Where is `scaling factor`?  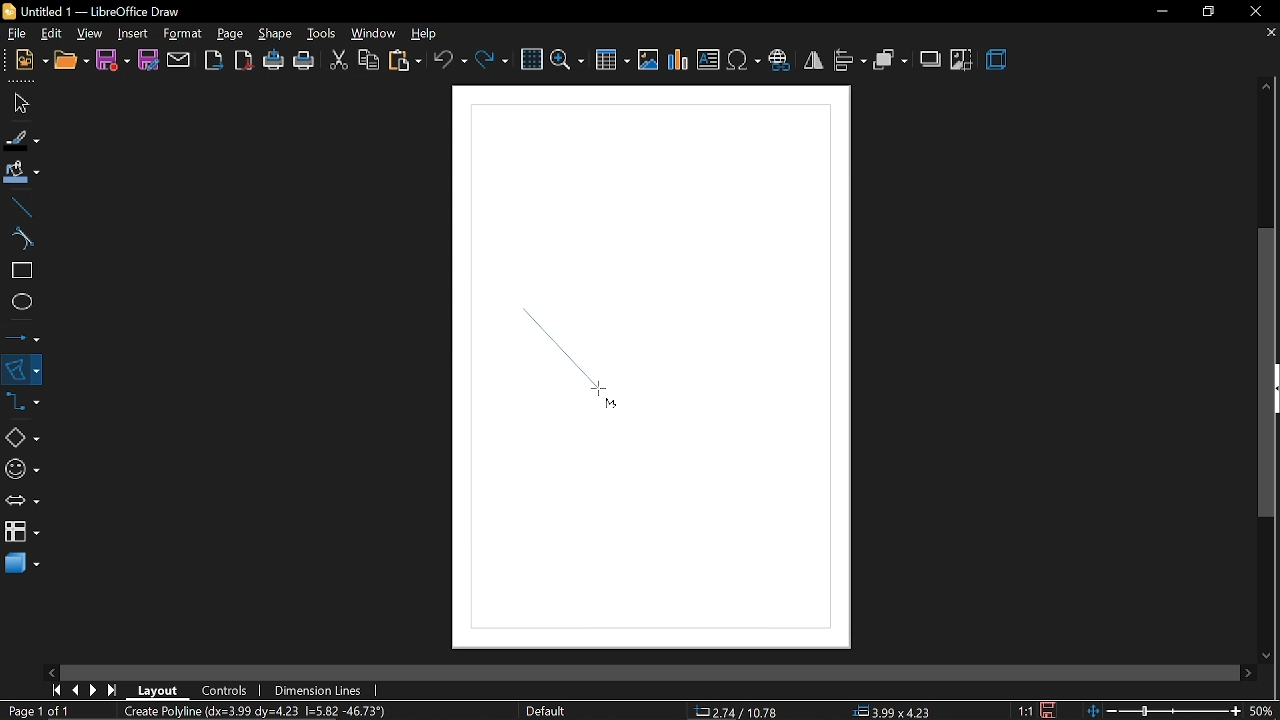 scaling factor is located at coordinates (1030, 710).